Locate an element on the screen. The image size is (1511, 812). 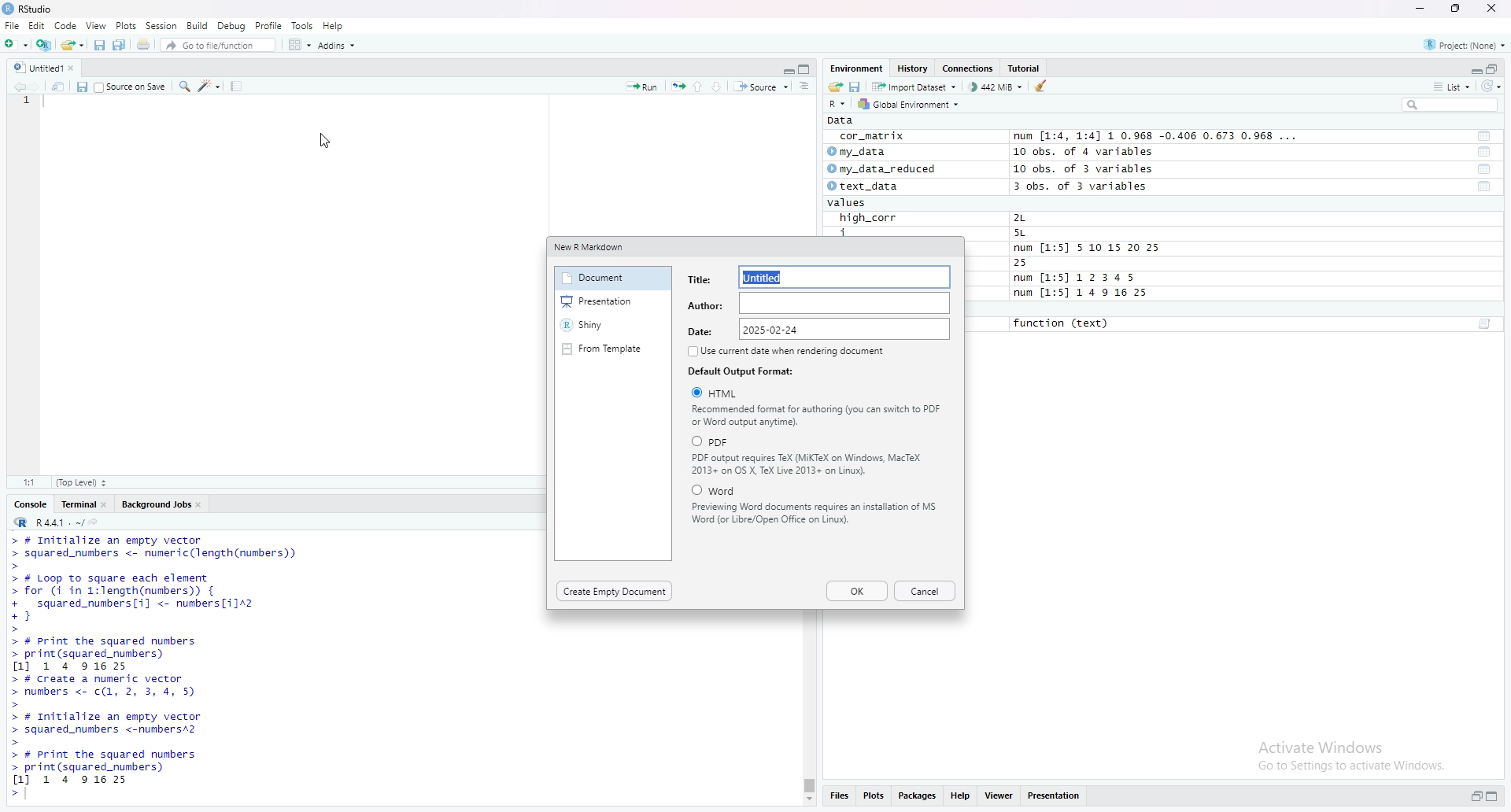
num [1:4, 1:4] 1 0.968 -0.400 0.6/3 0.968 ... is located at coordinates (1157, 133).